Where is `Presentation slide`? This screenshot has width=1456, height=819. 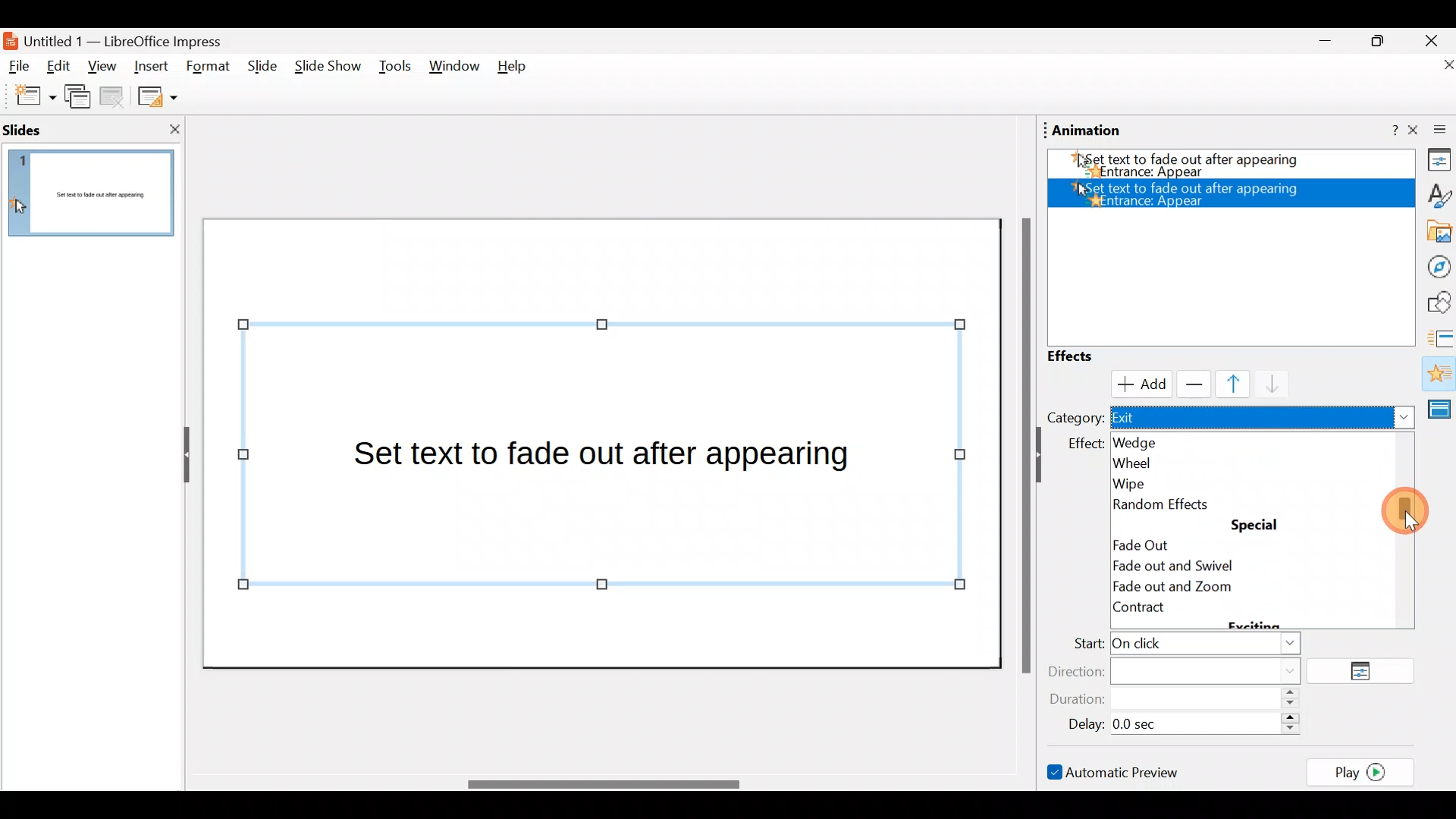 Presentation slide is located at coordinates (605, 442).